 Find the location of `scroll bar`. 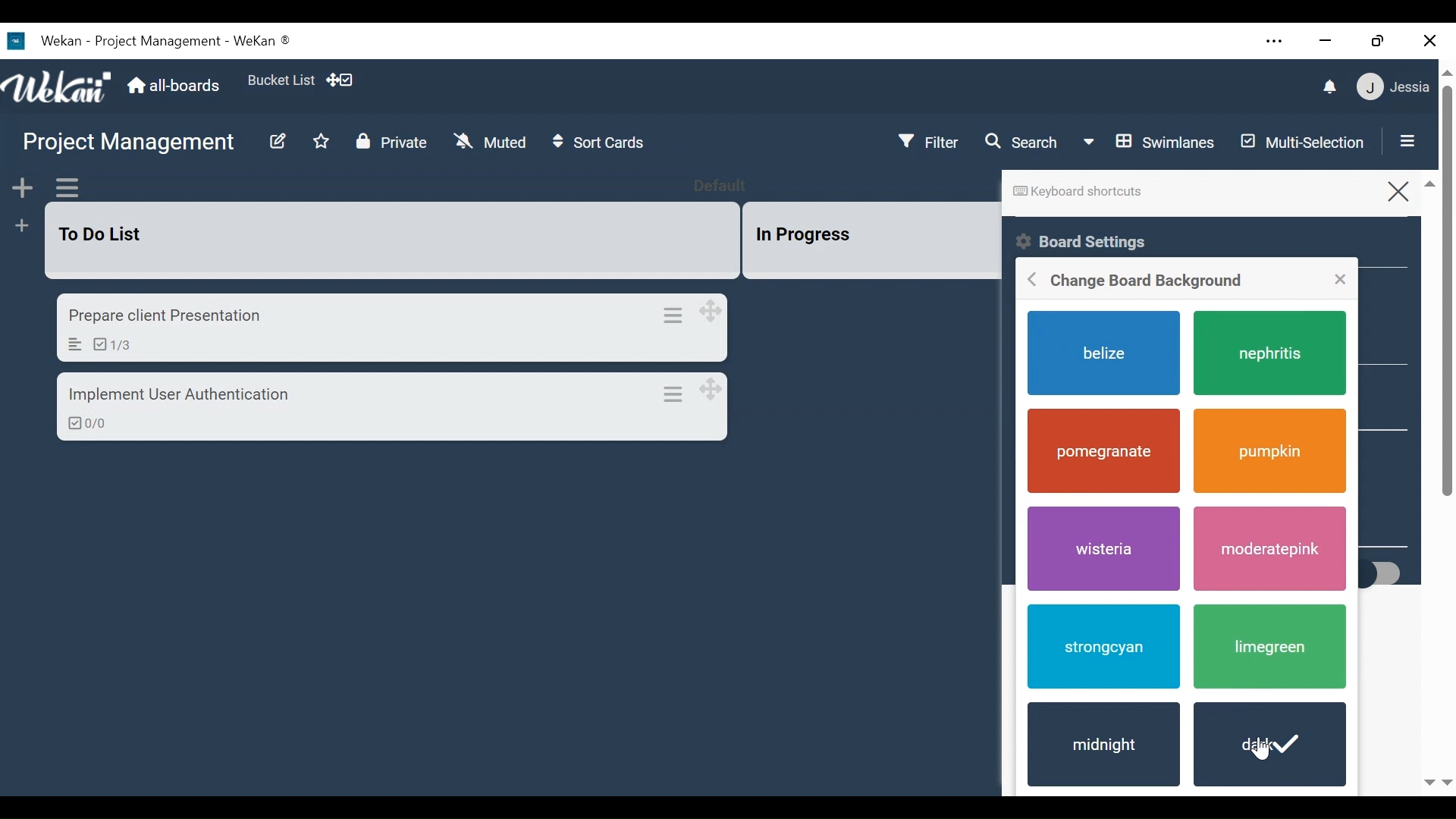

scroll bar is located at coordinates (1447, 357).